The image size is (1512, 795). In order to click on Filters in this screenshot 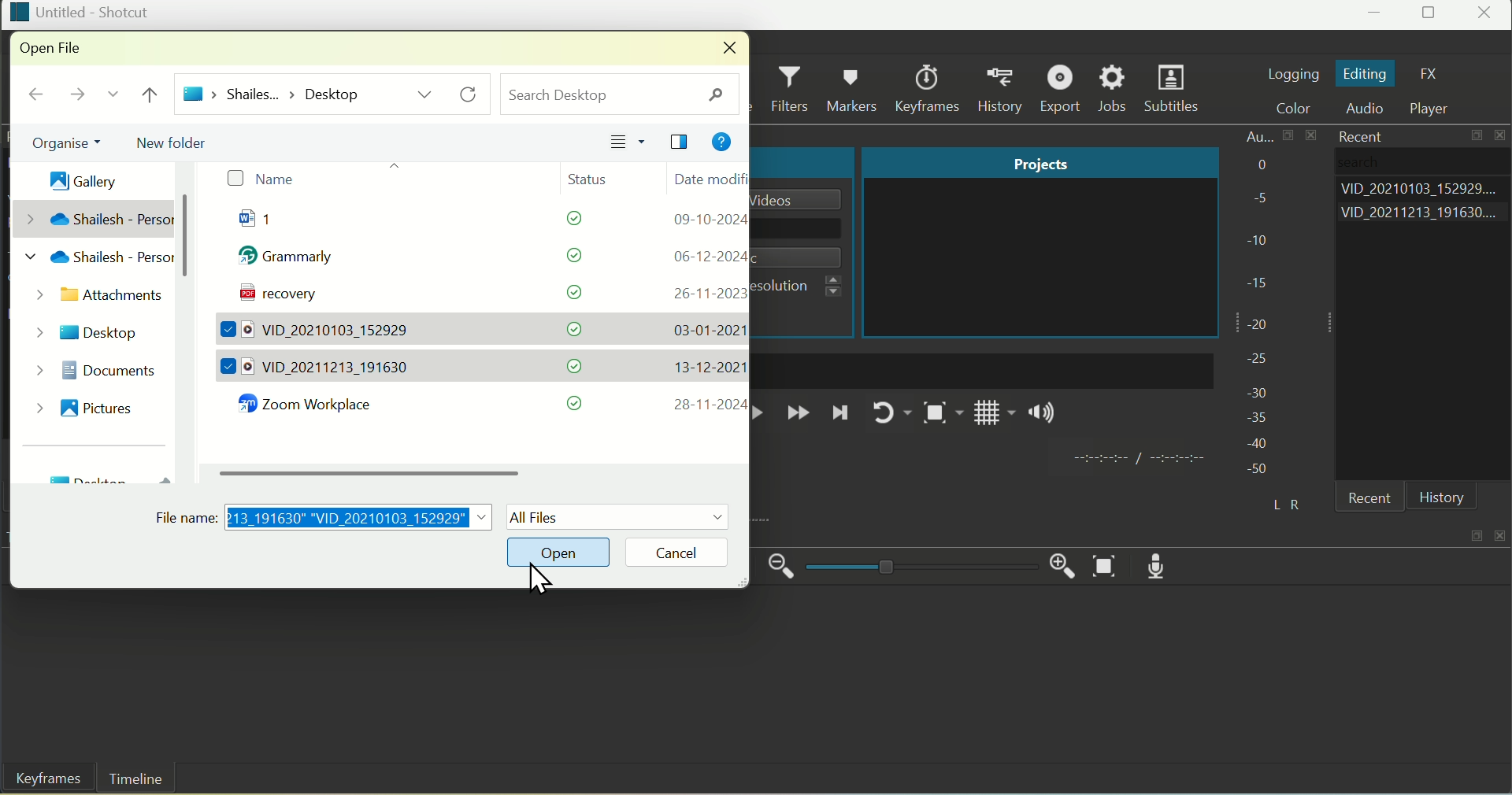, I will do `click(792, 90)`.